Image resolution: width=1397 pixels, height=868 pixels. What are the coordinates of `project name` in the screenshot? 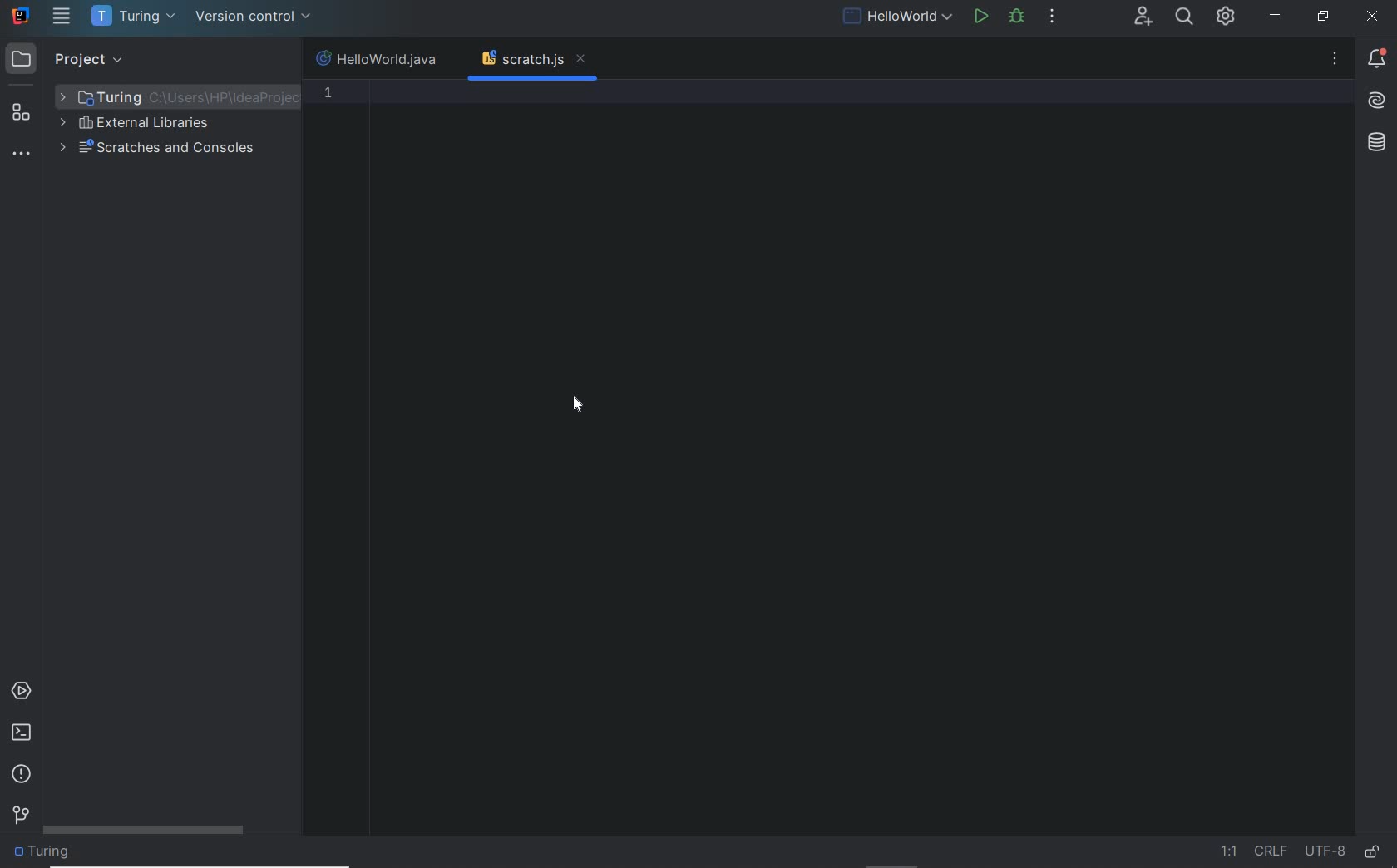 It's located at (46, 854).